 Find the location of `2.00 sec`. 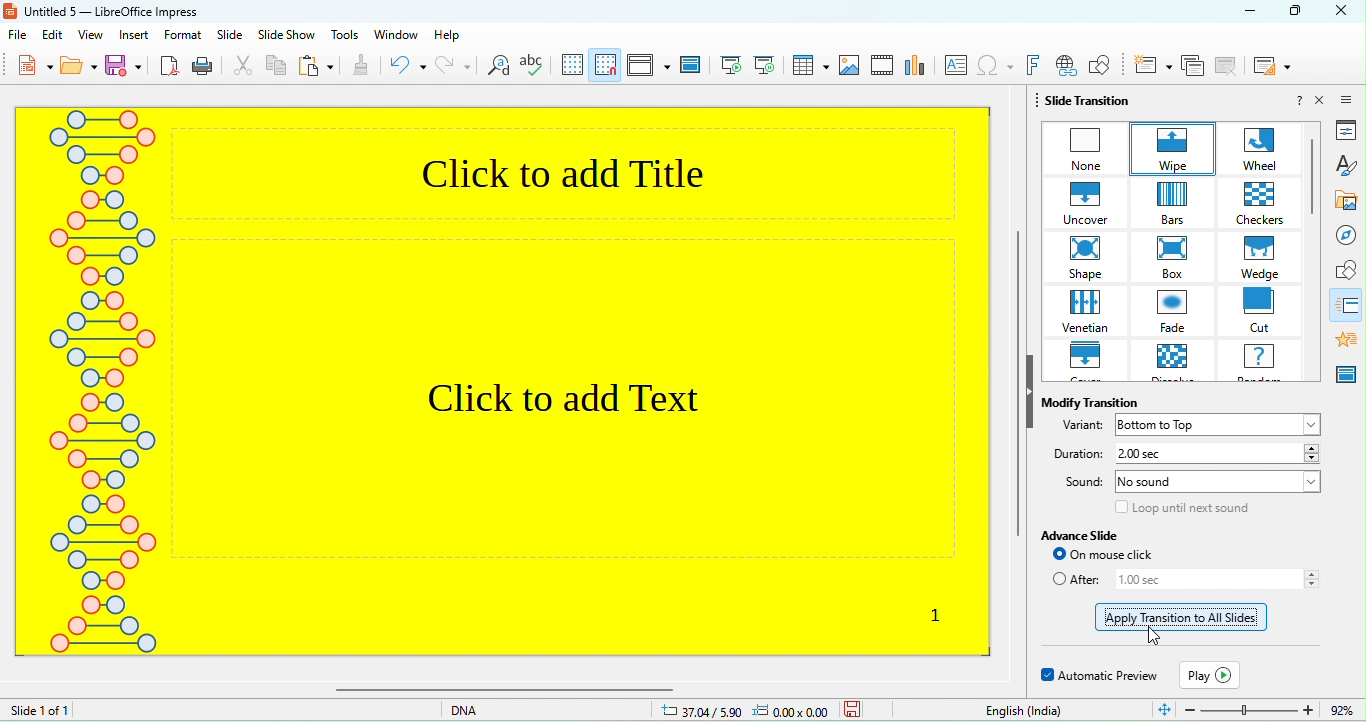

2.00 sec is located at coordinates (1215, 454).